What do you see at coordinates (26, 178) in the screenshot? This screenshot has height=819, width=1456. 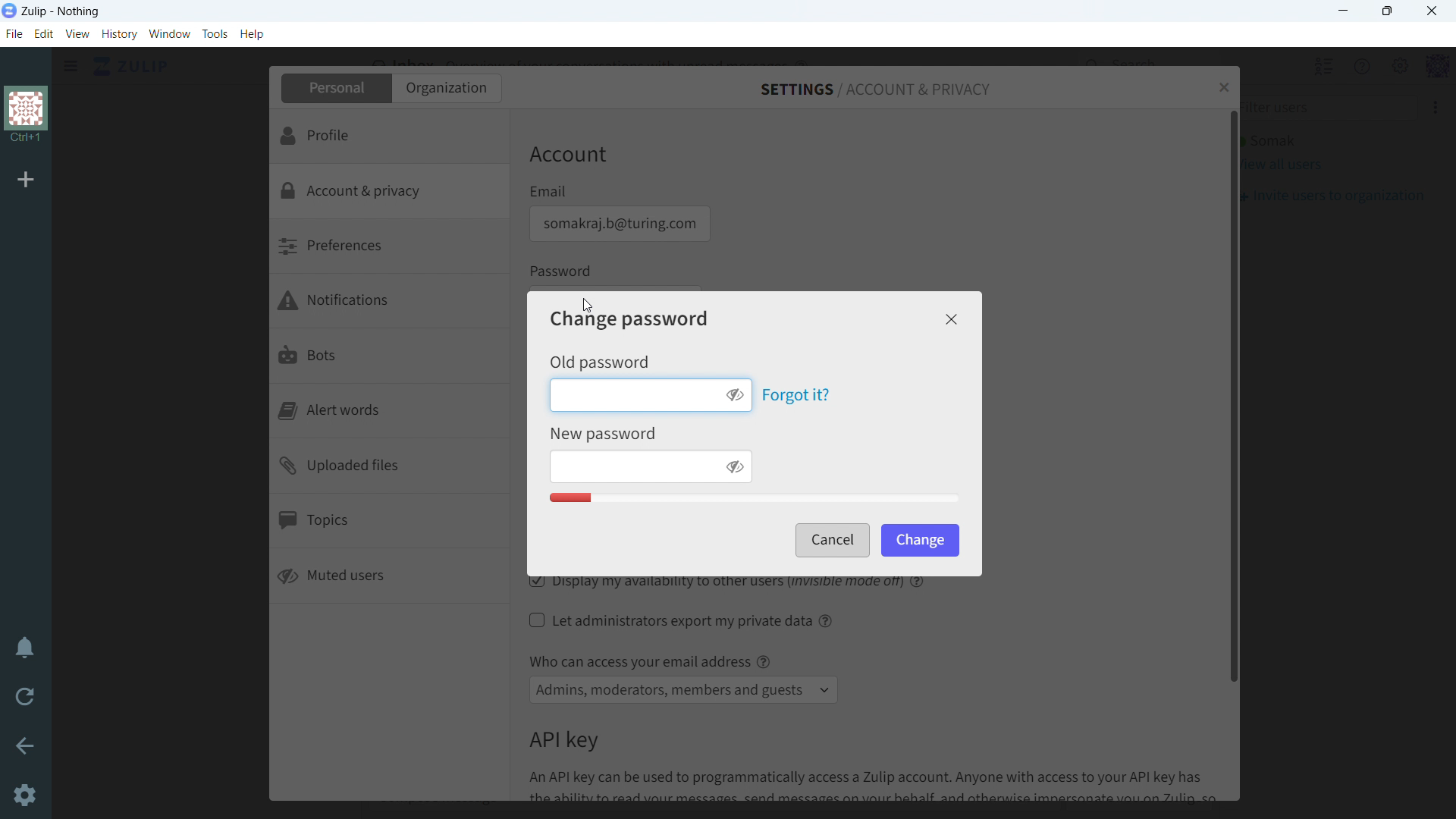 I see `add organization` at bounding box center [26, 178].